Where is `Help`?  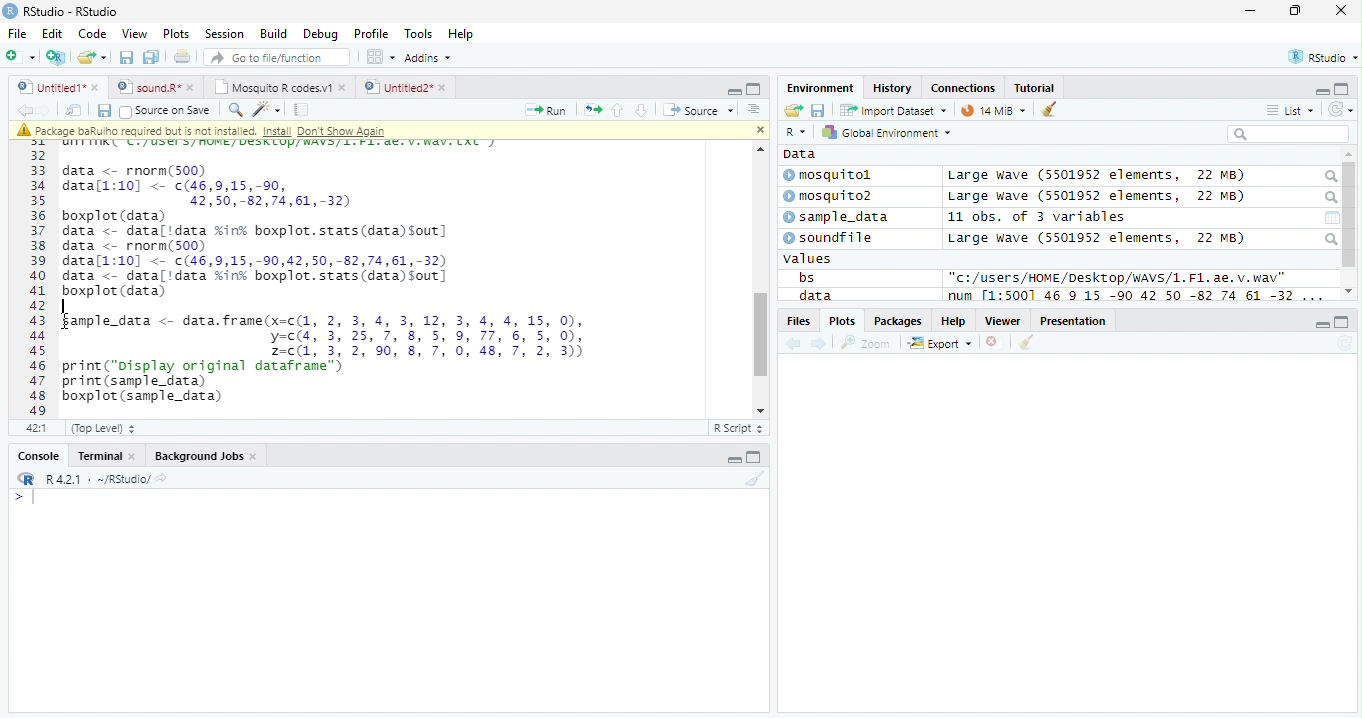 Help is located at coordinates (954, 320).